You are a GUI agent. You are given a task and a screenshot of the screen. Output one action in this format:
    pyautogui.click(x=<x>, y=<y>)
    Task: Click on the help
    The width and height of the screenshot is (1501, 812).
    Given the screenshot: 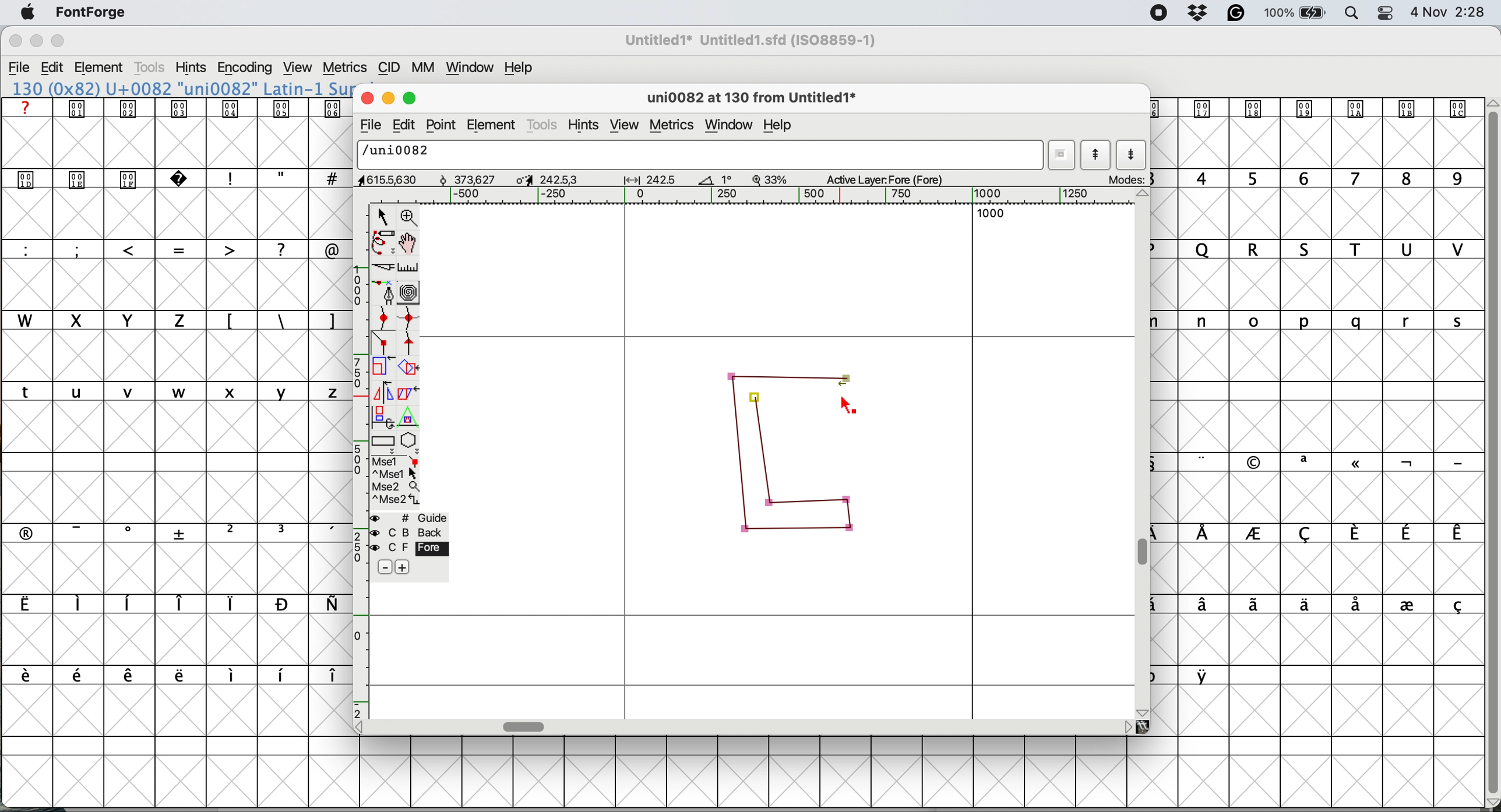 What is the action you would take?
    pyautogui.click(x=522, y=68)
    